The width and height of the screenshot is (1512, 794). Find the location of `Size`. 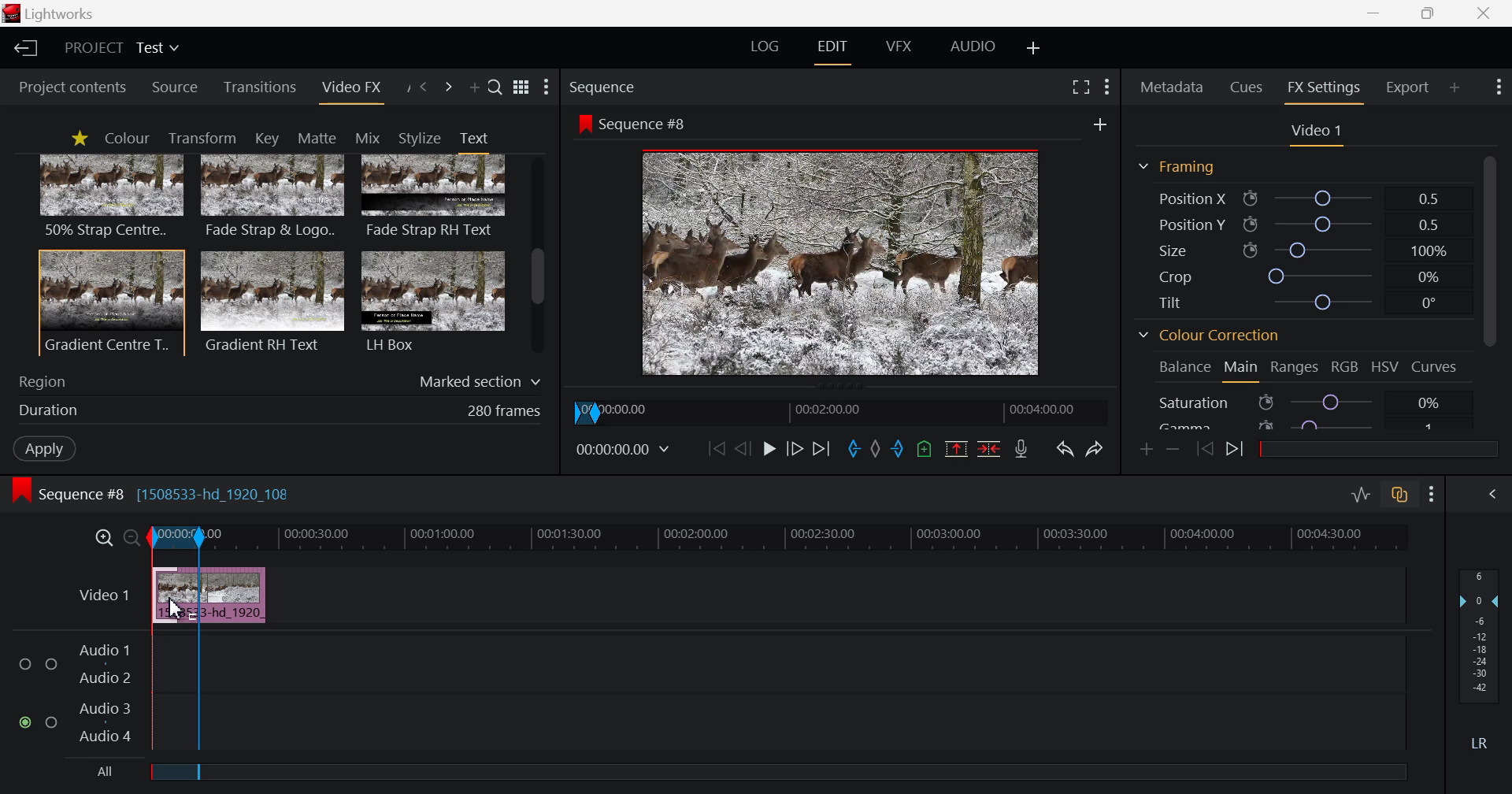

Size is located at coordinates (1300, 248).